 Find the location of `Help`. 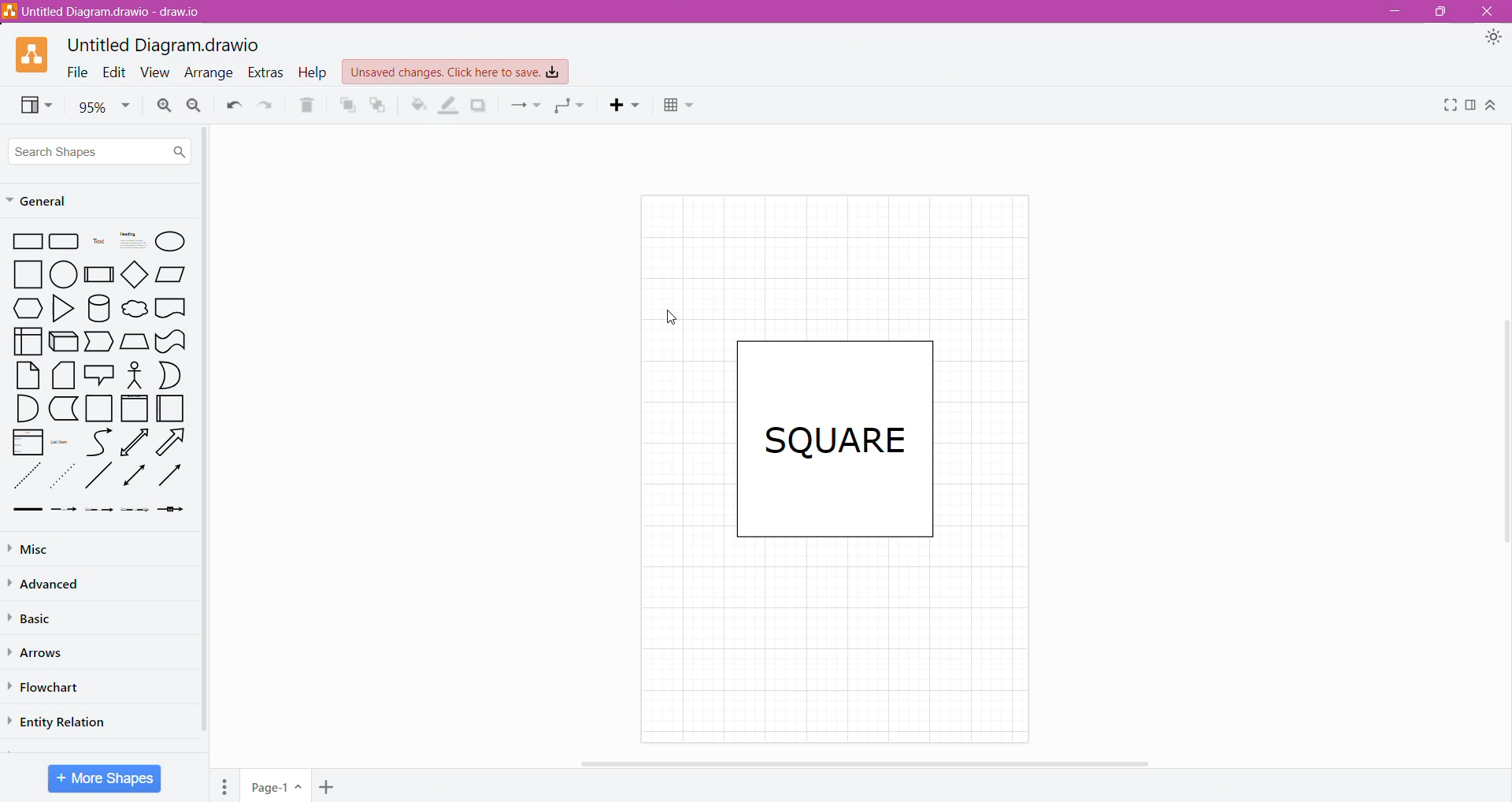

Help is located at coordinates (313, 73).